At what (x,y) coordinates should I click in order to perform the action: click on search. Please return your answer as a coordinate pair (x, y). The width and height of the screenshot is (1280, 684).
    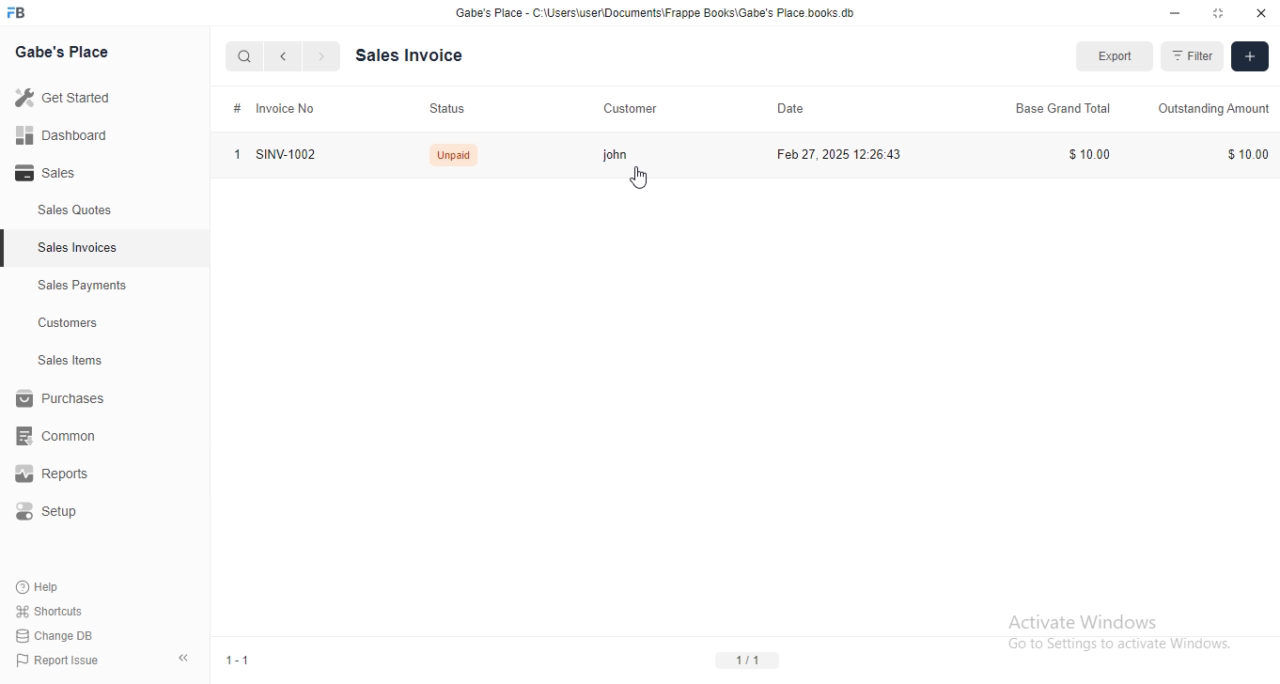
    Looking at the image, I should click on (244, 56).